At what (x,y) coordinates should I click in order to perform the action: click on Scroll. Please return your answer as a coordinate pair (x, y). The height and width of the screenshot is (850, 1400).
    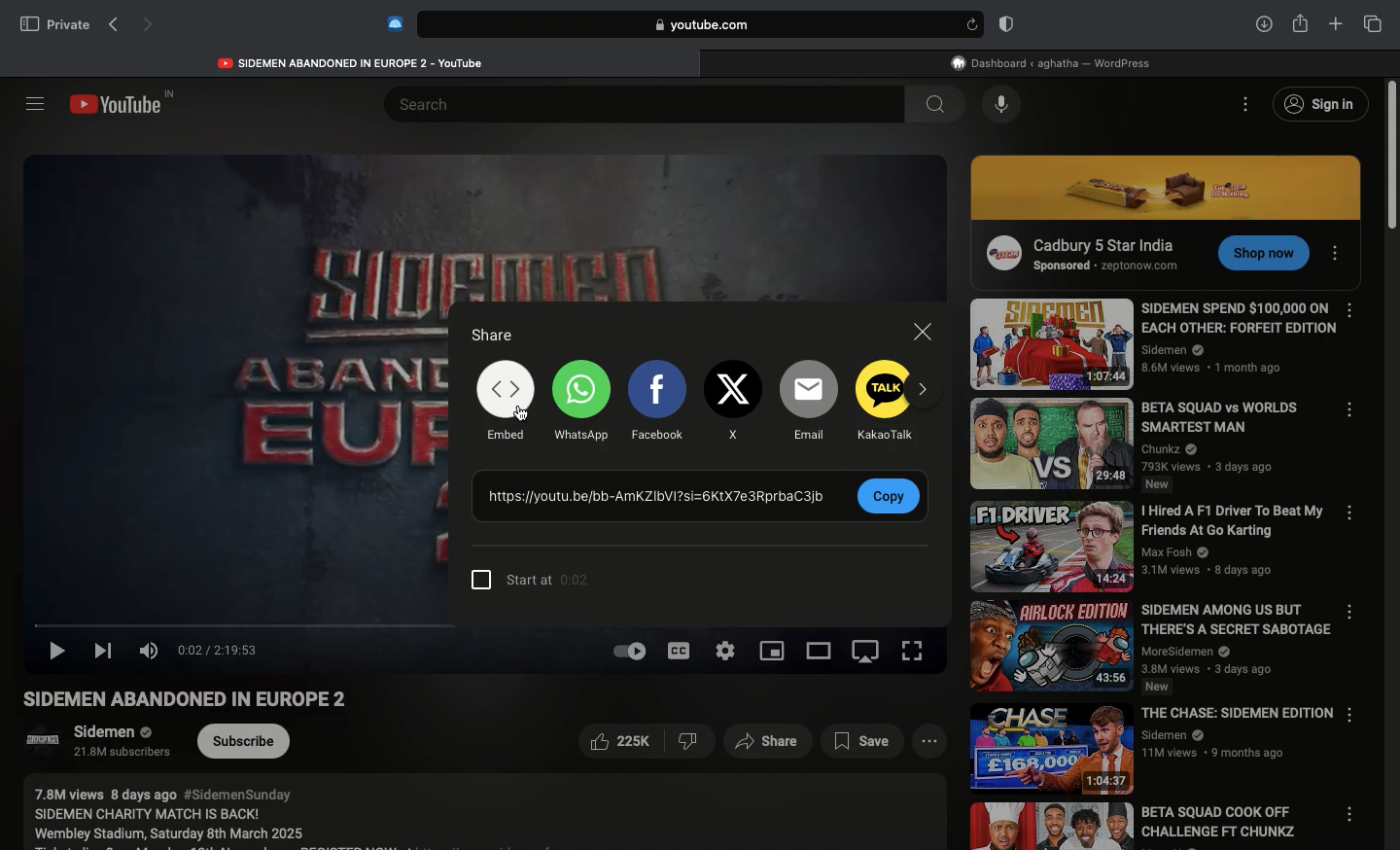
    Looking at the image, I should click on (1391, 464).